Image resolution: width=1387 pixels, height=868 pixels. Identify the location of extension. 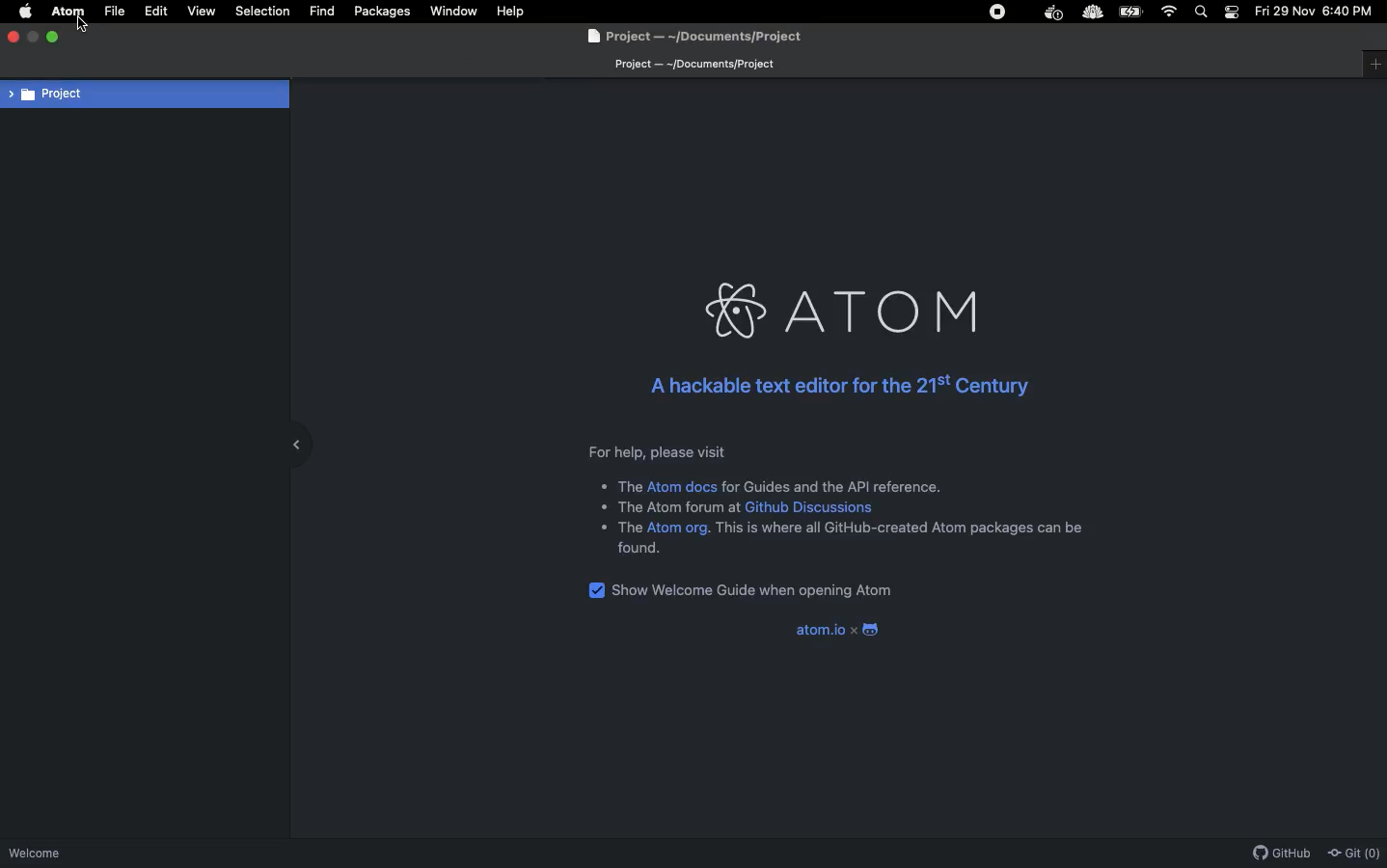
(1092, 14).